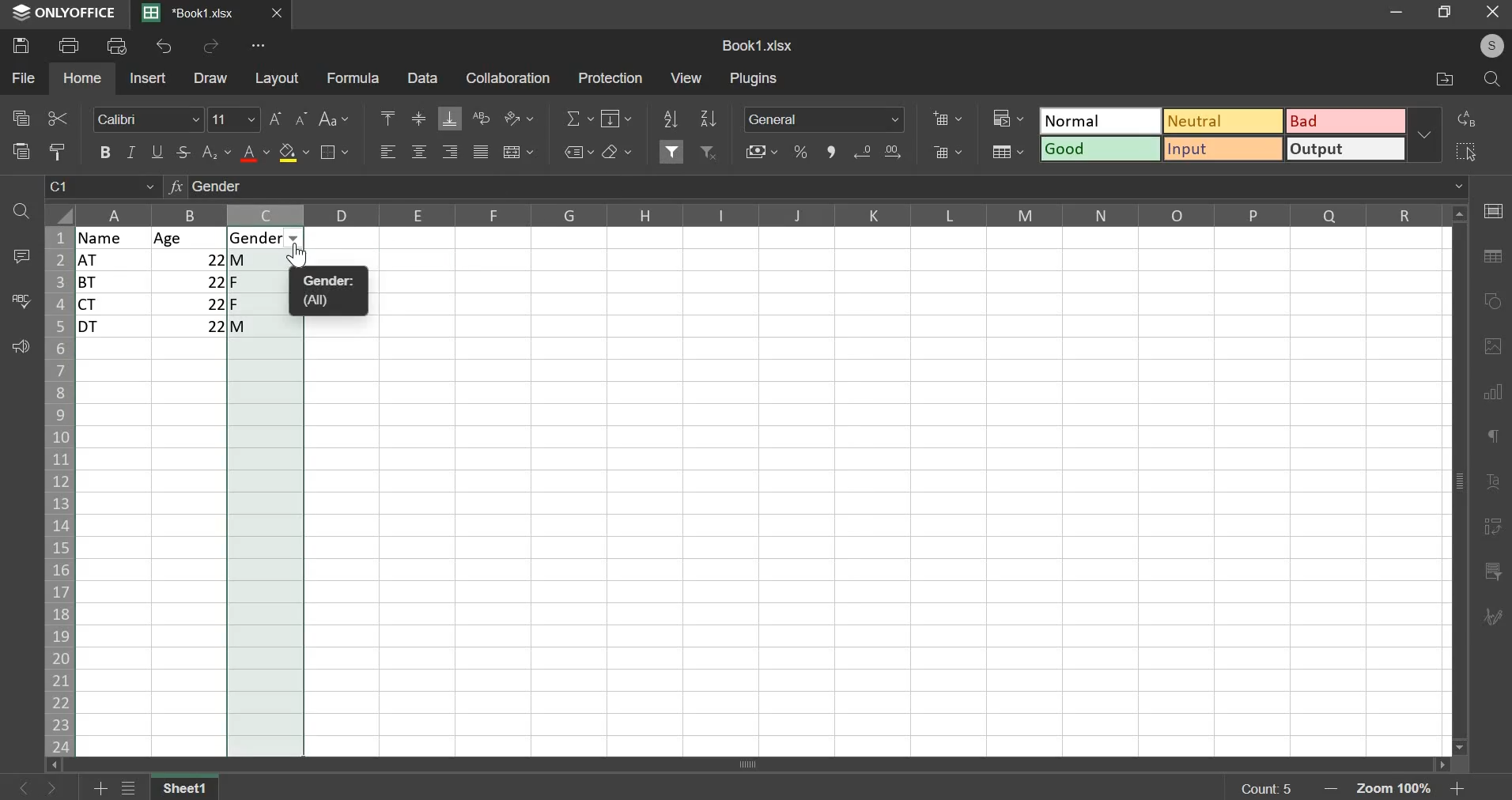  What do you see at coordinates (947, 119) in the screenshot?
I see `insert cells` at bounding box center [947, 119].